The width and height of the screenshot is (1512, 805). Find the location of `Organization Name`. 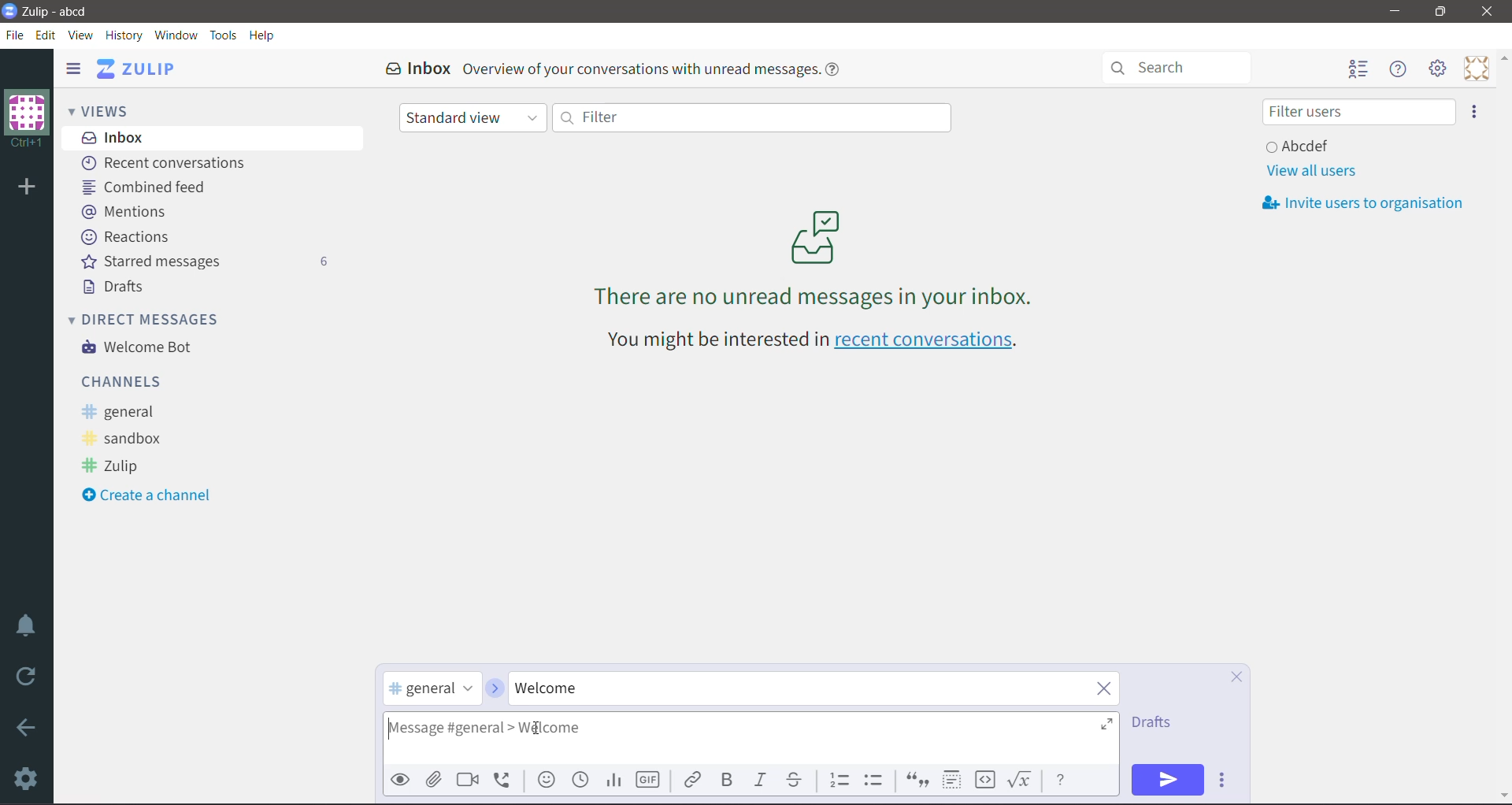

Organization Name is located at coordinates (27, 119).